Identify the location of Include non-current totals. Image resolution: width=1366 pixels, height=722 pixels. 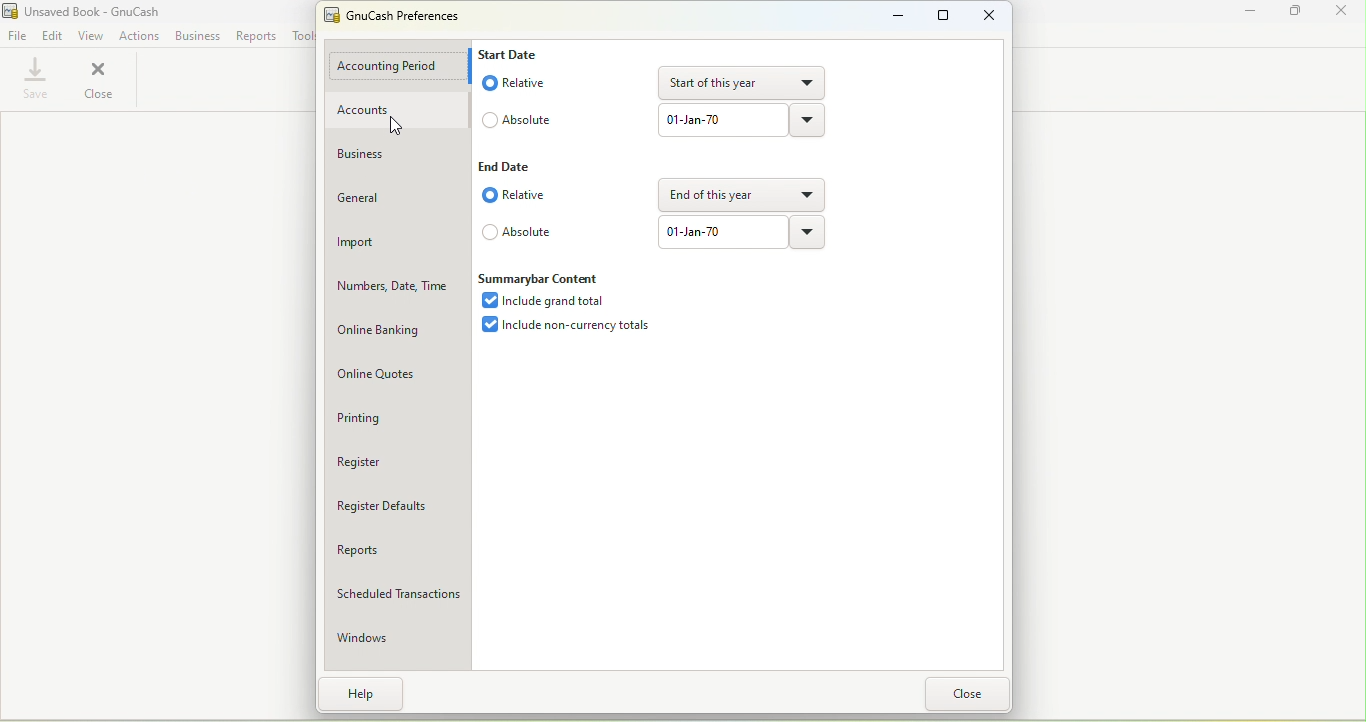
(561, 326).